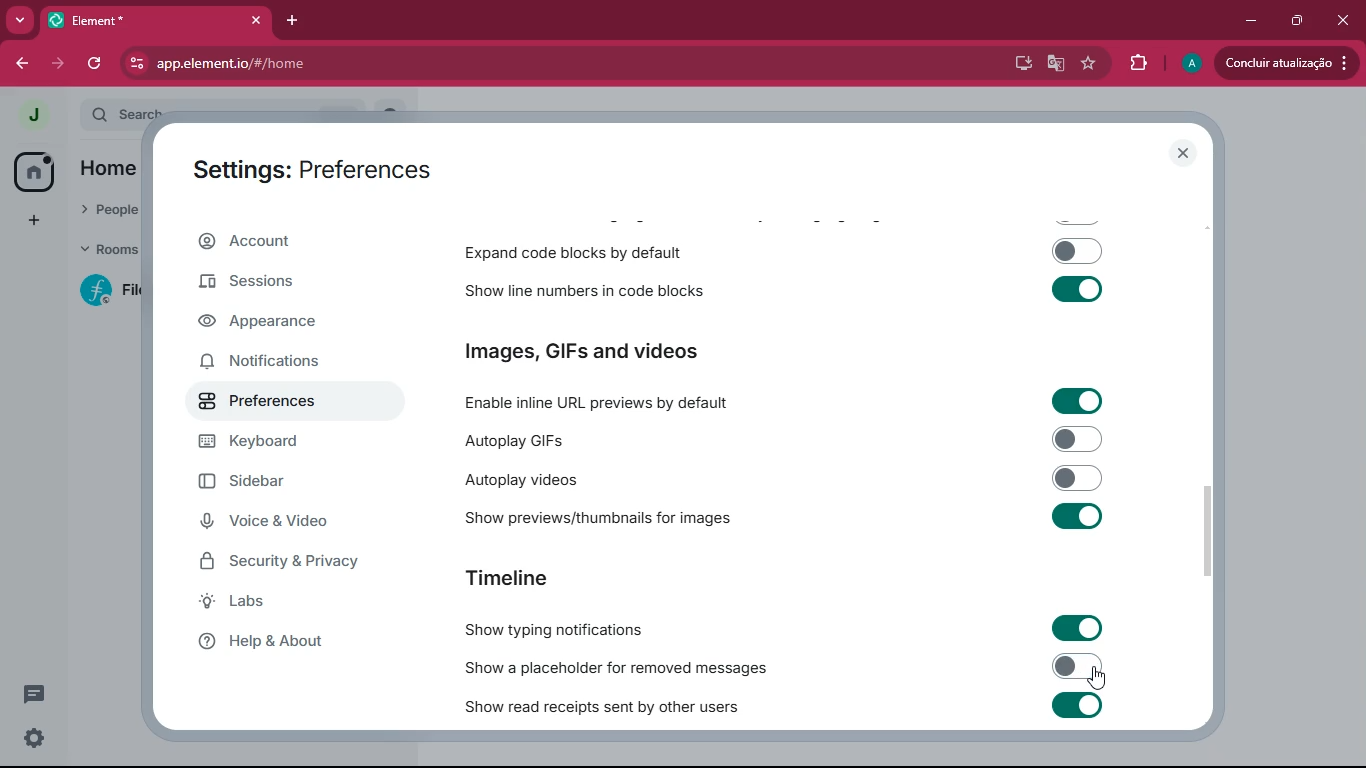 This screenshot has width=1366, height=768. What do you see at coordinates (630, 705) in the screenshot?
I see `show read receipts sent by other users` at bounding box center [630, 705].